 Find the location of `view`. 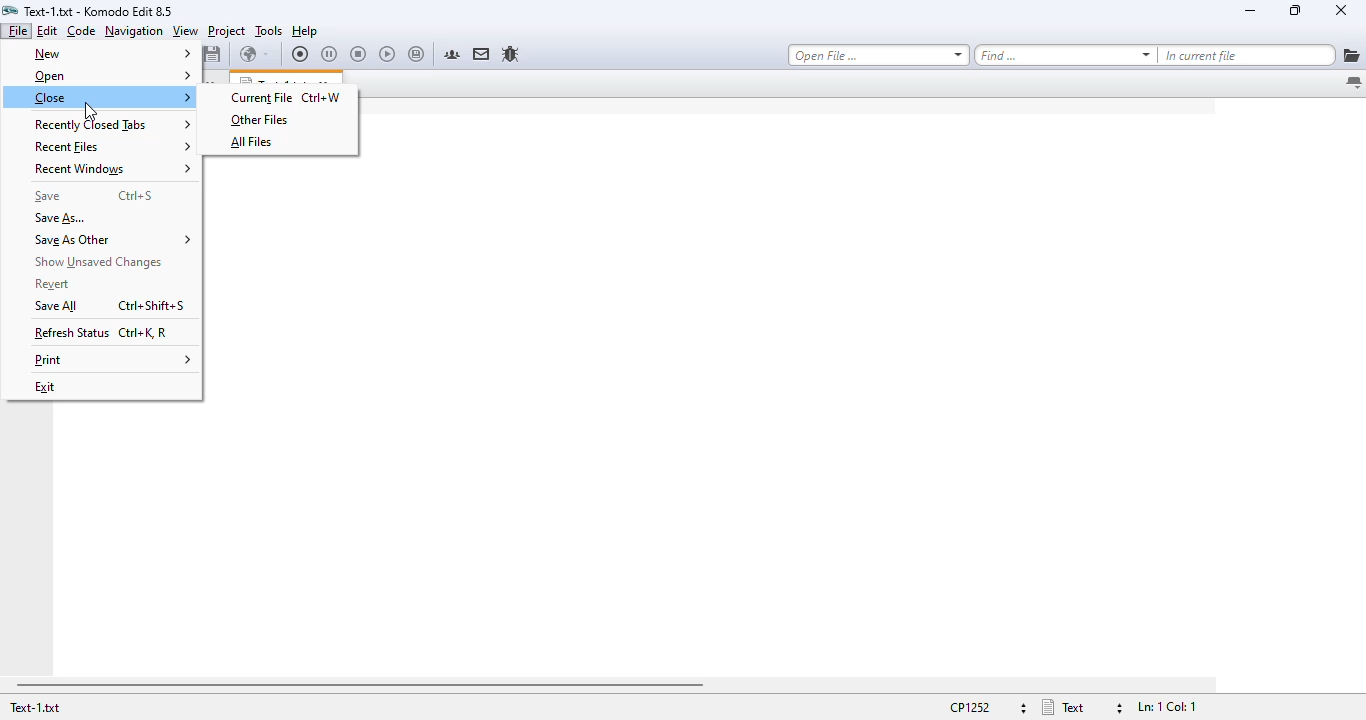

view is located at coordinates (185, 31).